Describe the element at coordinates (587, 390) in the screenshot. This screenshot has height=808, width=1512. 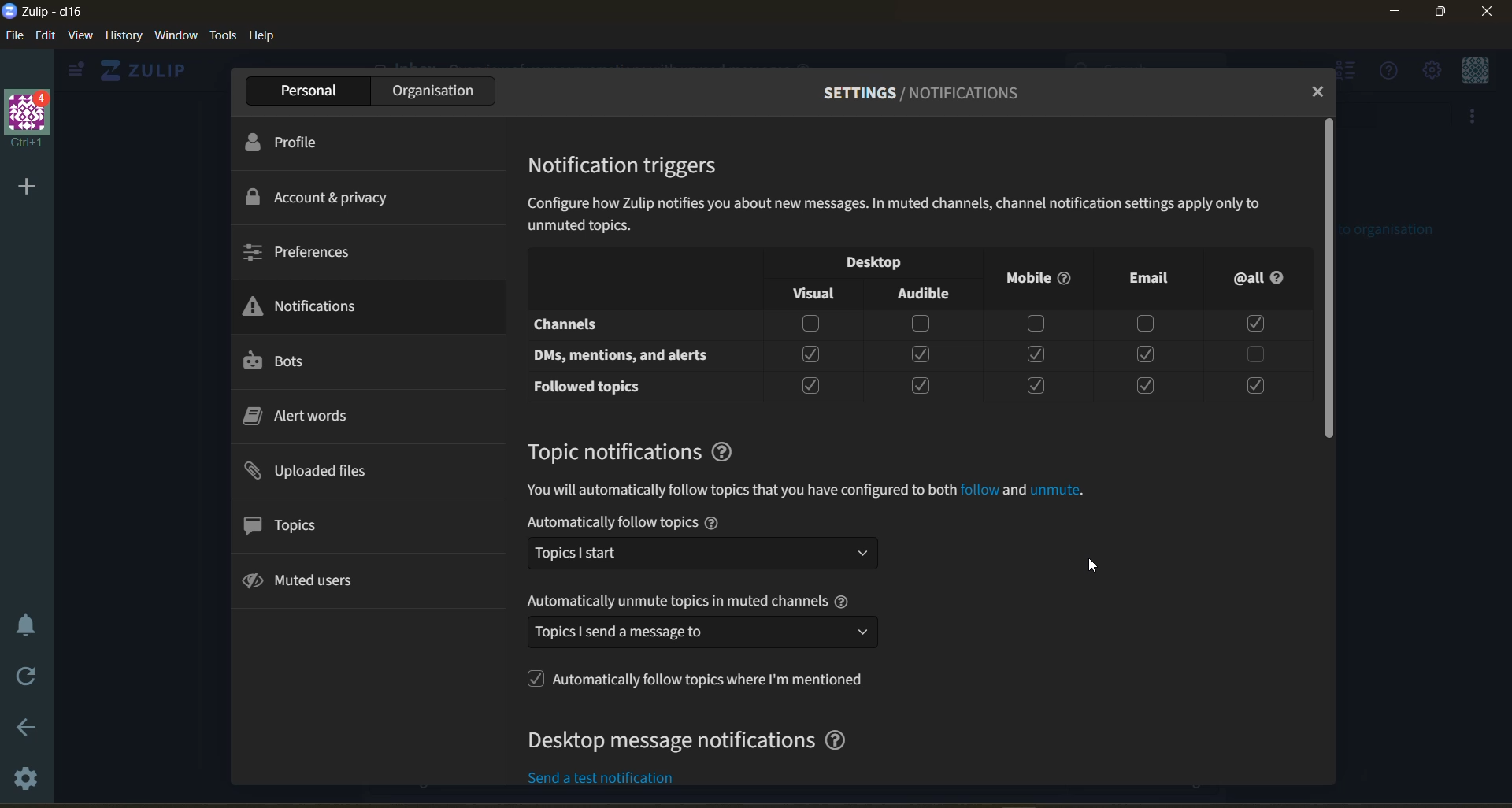
I see `Followed Topics` at that location.